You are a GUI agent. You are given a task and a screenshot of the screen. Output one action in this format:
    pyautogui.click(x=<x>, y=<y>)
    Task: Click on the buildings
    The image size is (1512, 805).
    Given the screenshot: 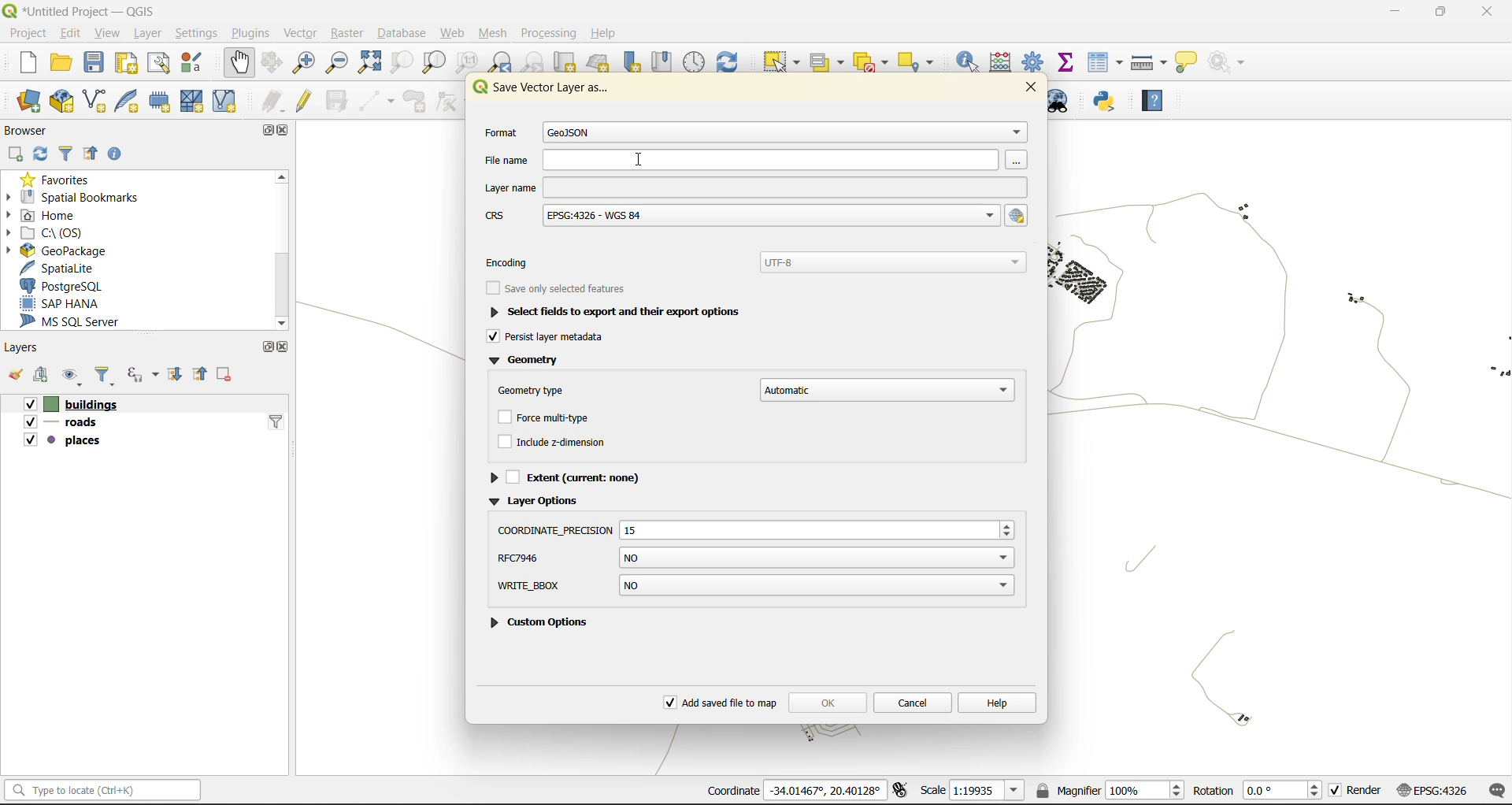 What is the action you would take?
    pyautogui.click(x=66, y=403)
    